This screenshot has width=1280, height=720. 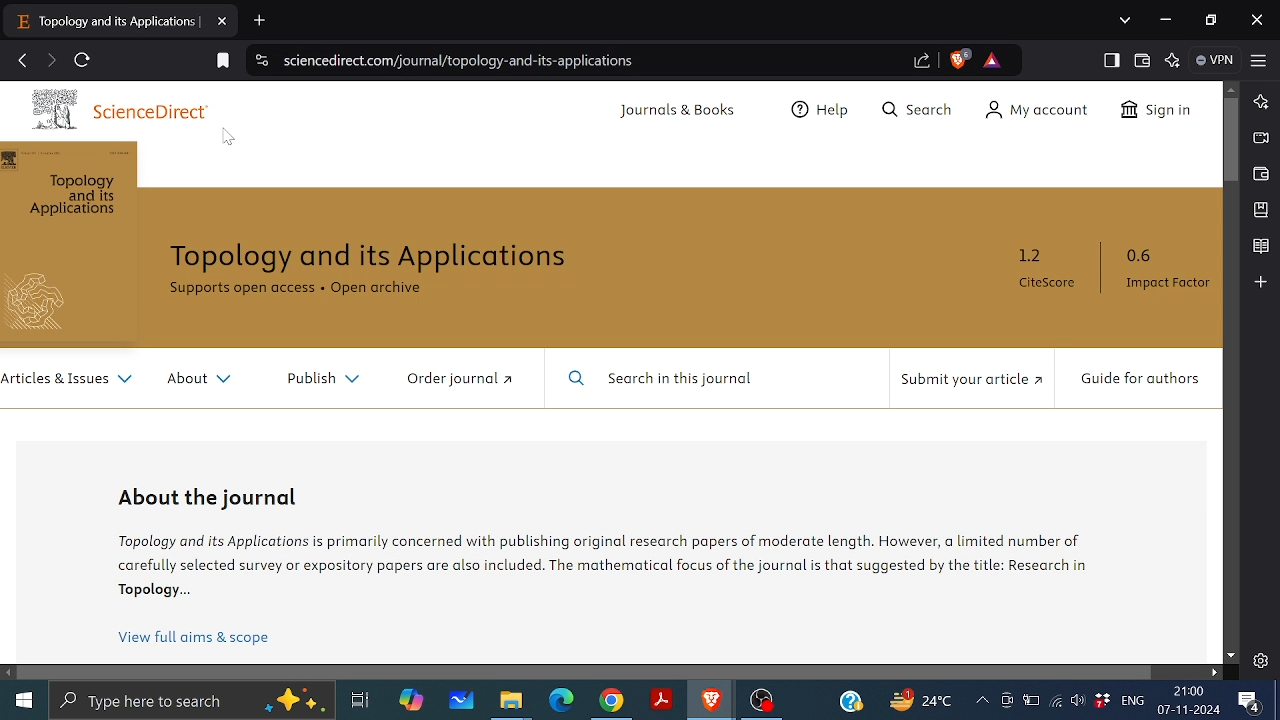 I want to click on Brave shield, so click(x=957, y=58).